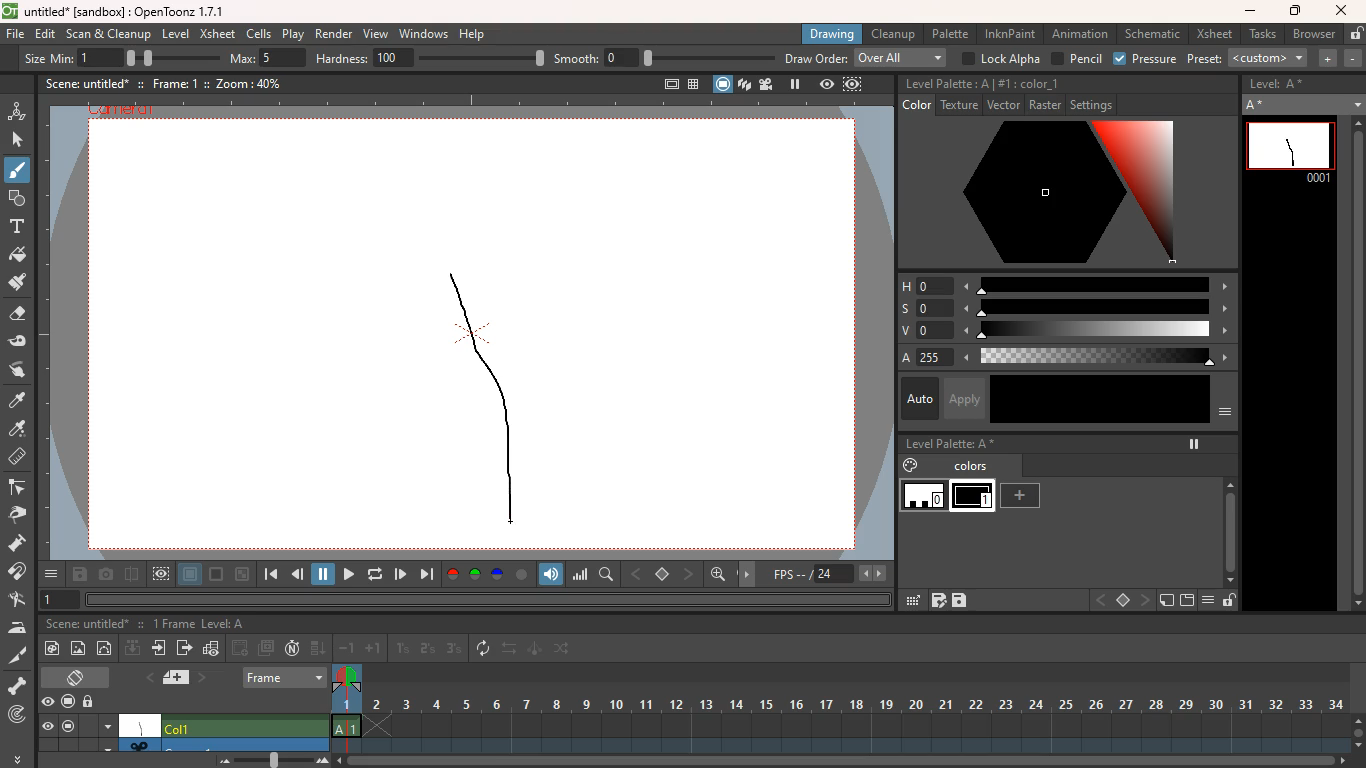 The height and width of the screenshot is (768, 1366). I want to click on maximize, so click(1297, 11).